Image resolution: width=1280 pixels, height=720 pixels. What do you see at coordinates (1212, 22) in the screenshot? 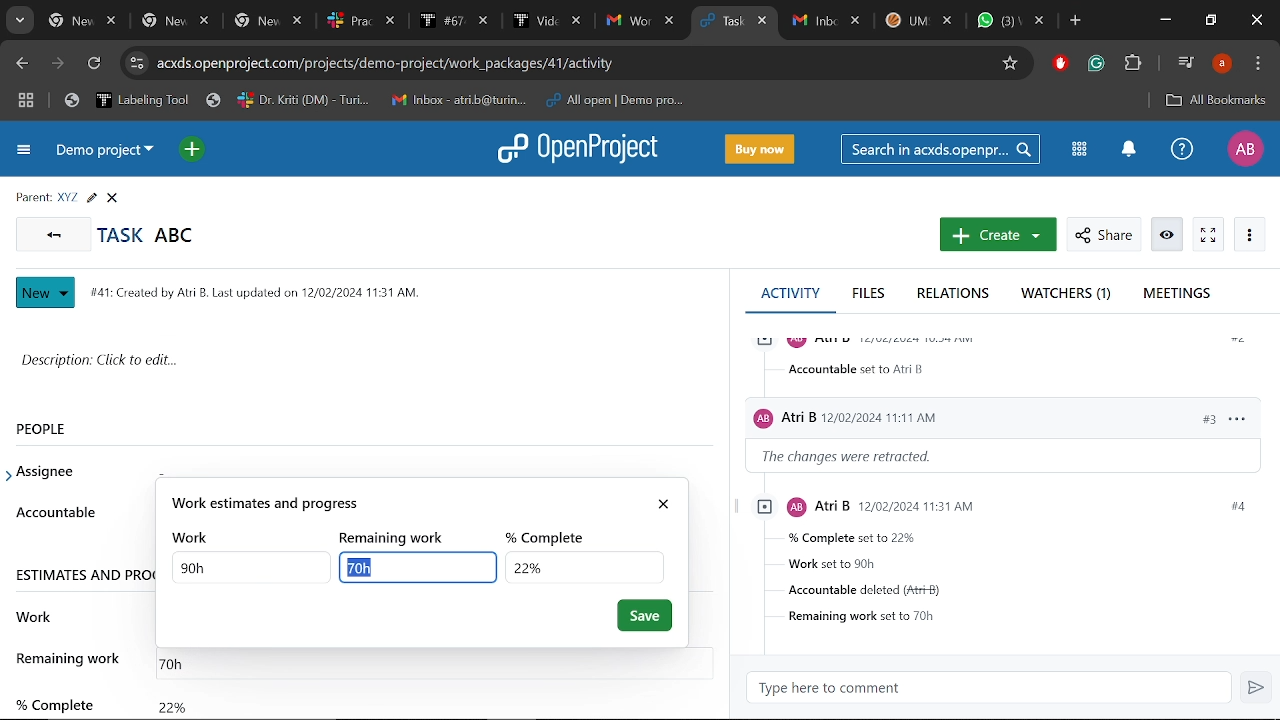
I see `Restore down` at bounding box center [1212, 22].